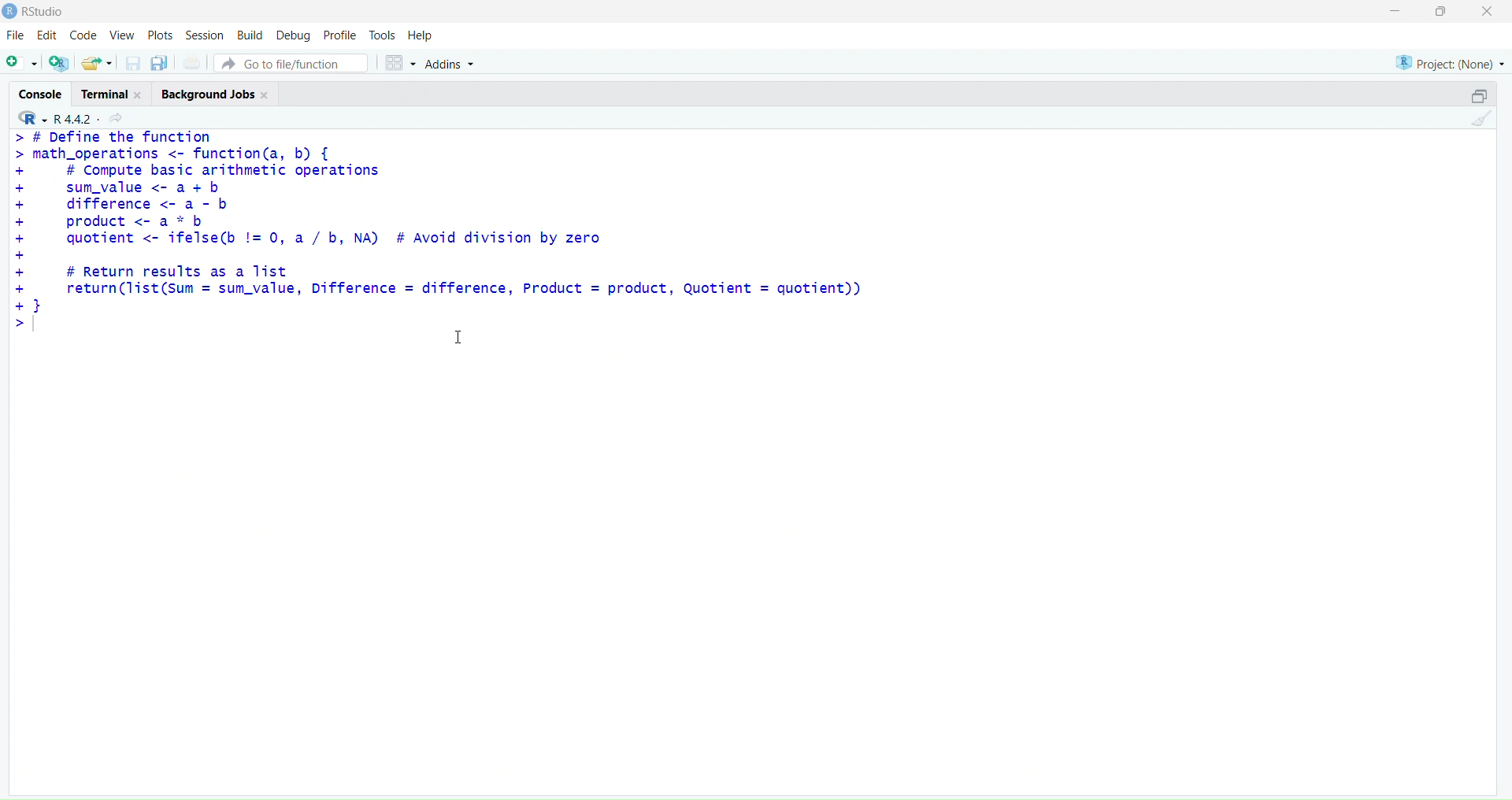  I want to click on Create a project, so click(57, 61).